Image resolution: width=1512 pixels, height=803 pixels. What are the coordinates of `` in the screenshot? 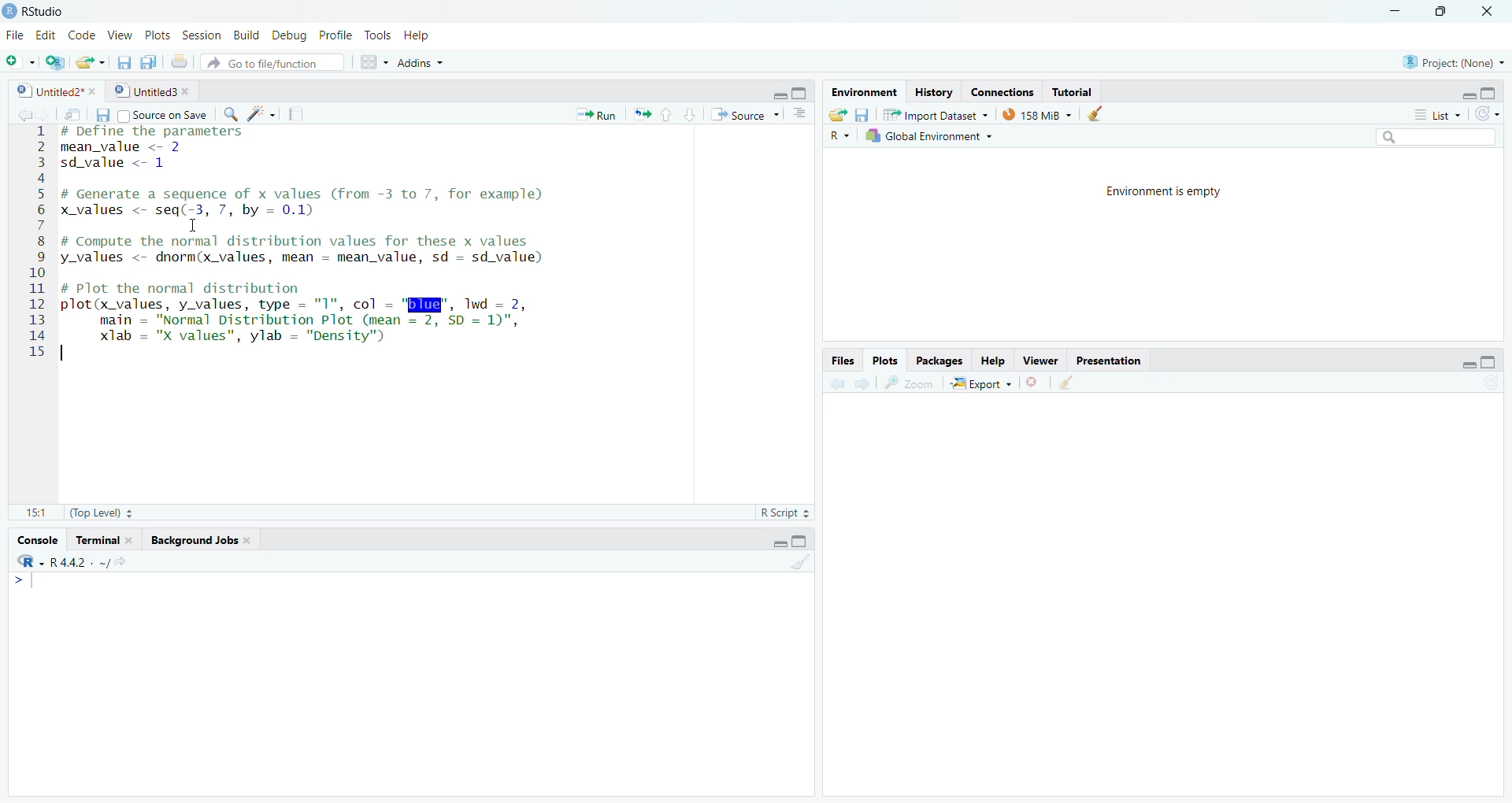 It's located at (799, 114).